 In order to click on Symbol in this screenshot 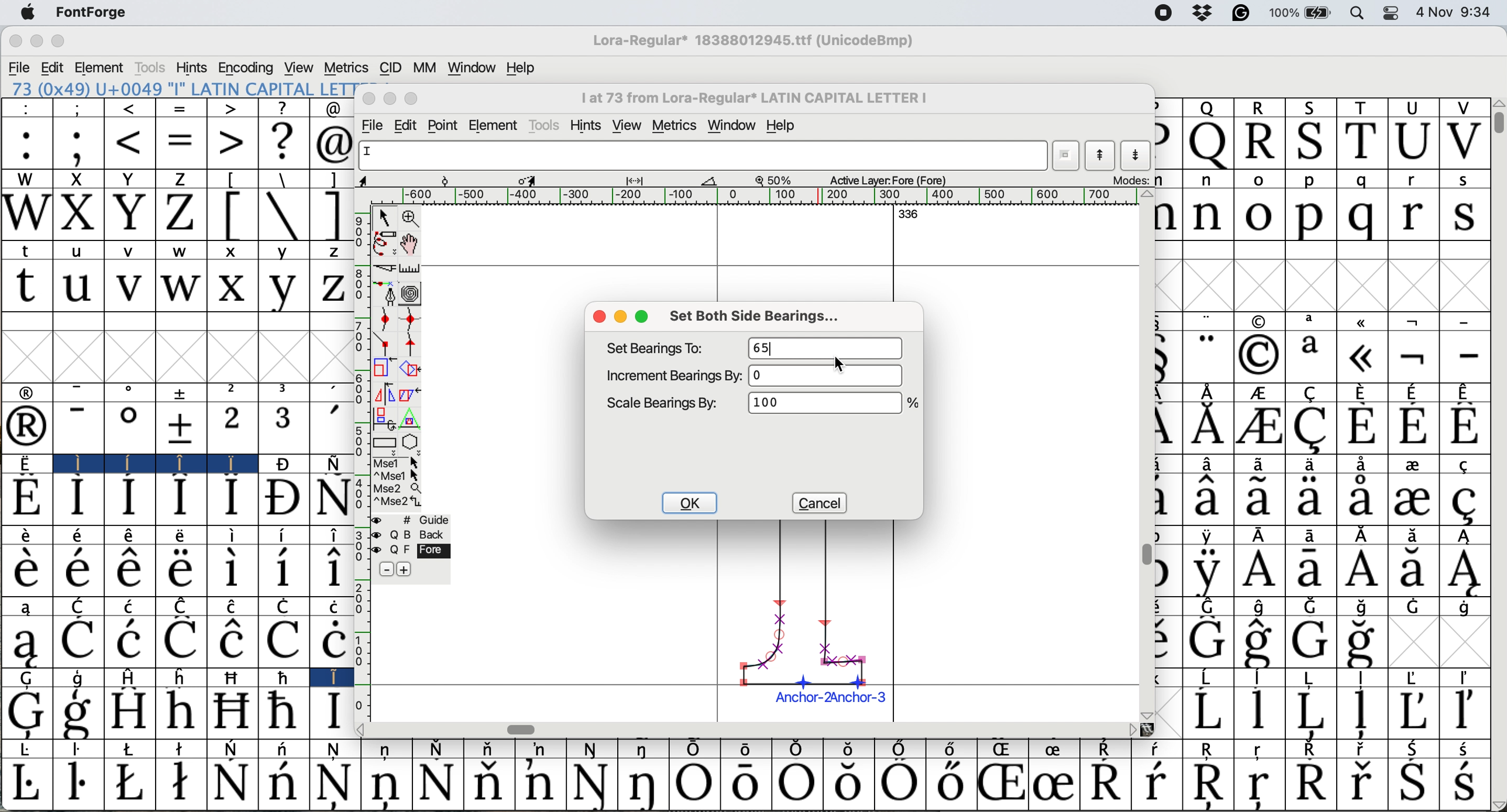, I will do `click(180, 570)`.